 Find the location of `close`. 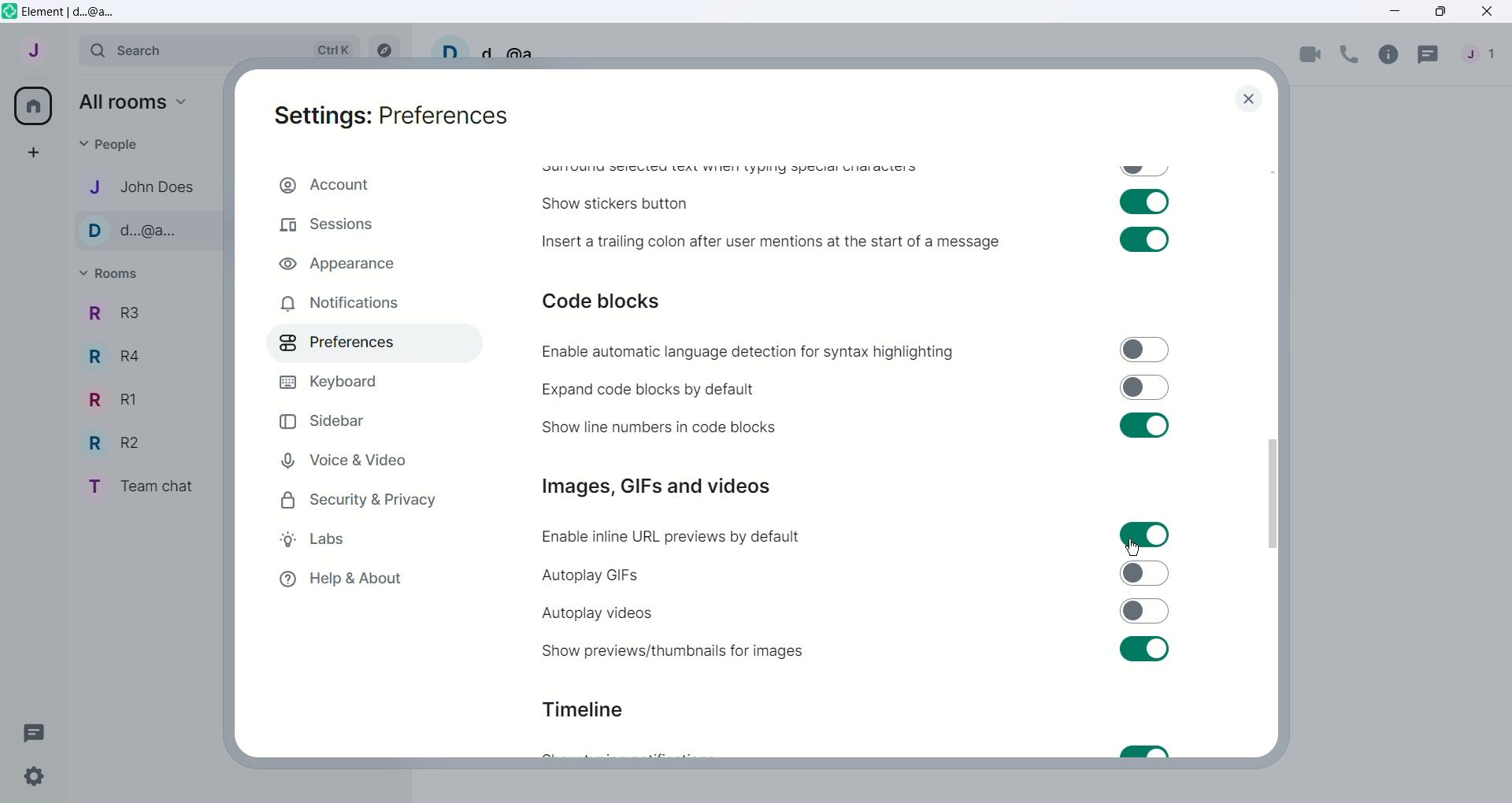

close is located at coordinates (1249, 98).